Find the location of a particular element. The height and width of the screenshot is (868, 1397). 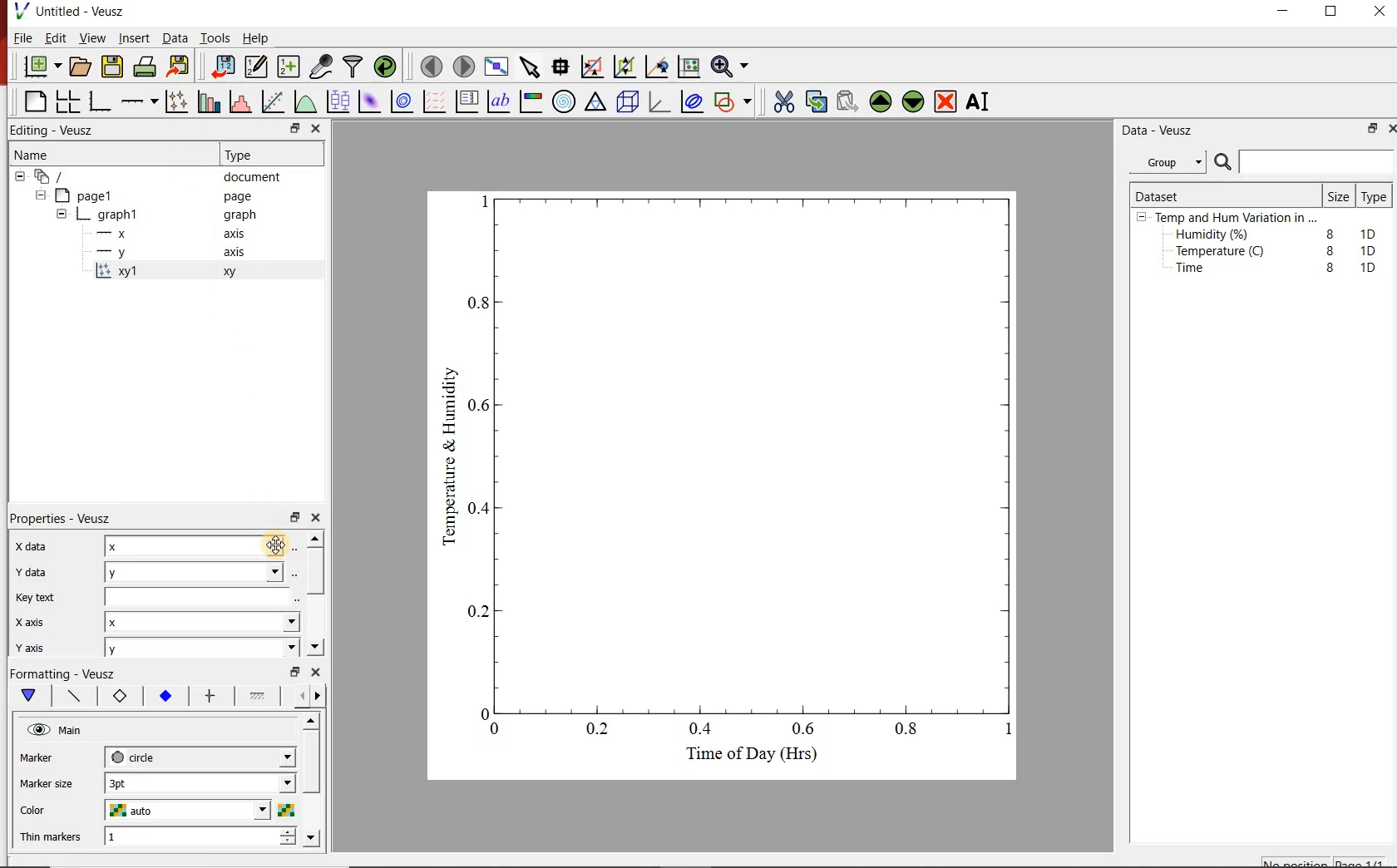

close is located at coordinates (321, 518).